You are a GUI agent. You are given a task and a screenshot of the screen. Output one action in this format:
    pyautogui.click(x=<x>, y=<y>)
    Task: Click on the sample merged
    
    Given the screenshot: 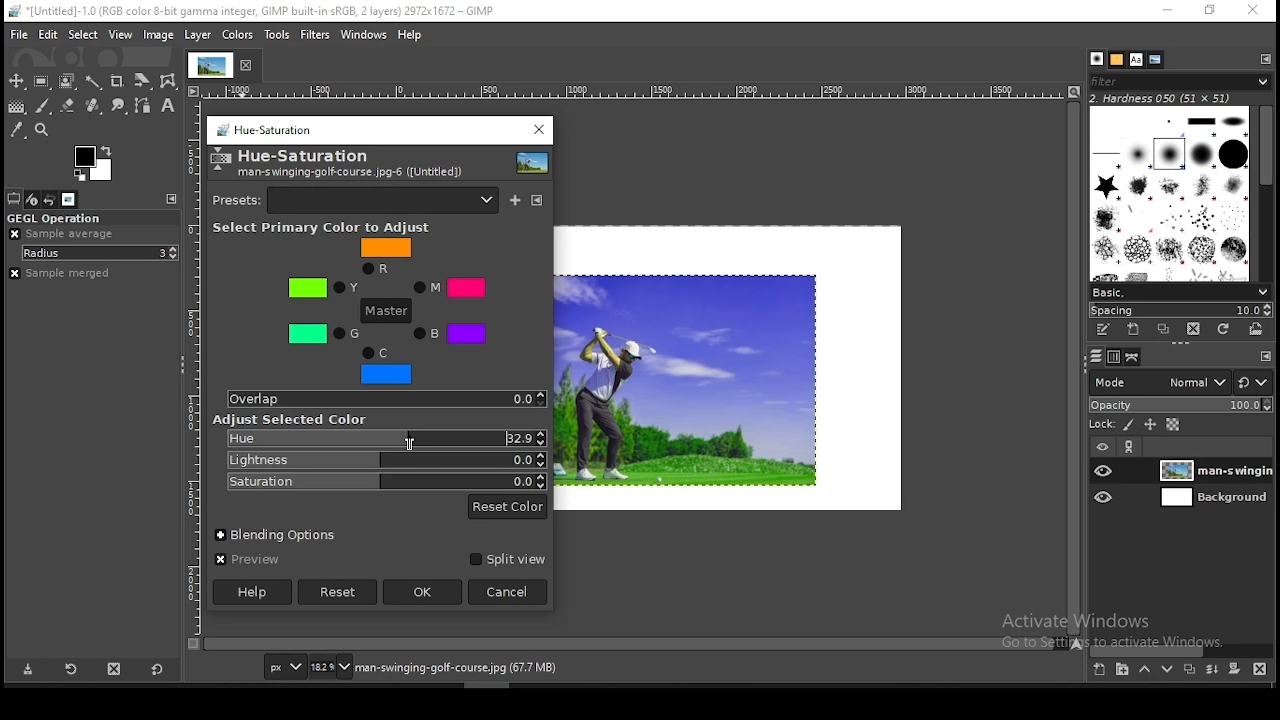 What is the action you would take?
    pyautogui.click(x=63, y=273)
    